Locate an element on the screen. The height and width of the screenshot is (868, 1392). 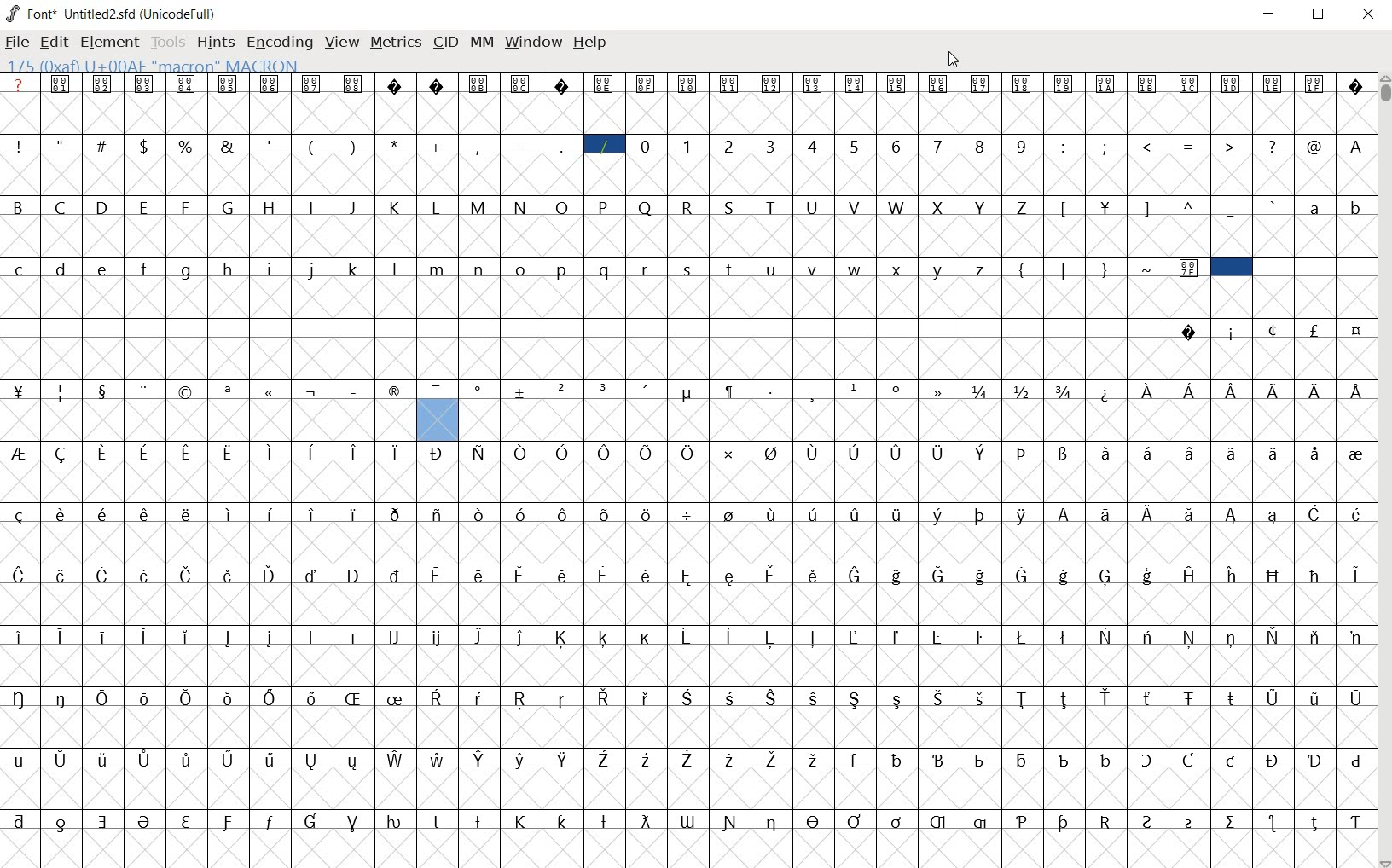
Symbol is located at coordinates (1275, 637).